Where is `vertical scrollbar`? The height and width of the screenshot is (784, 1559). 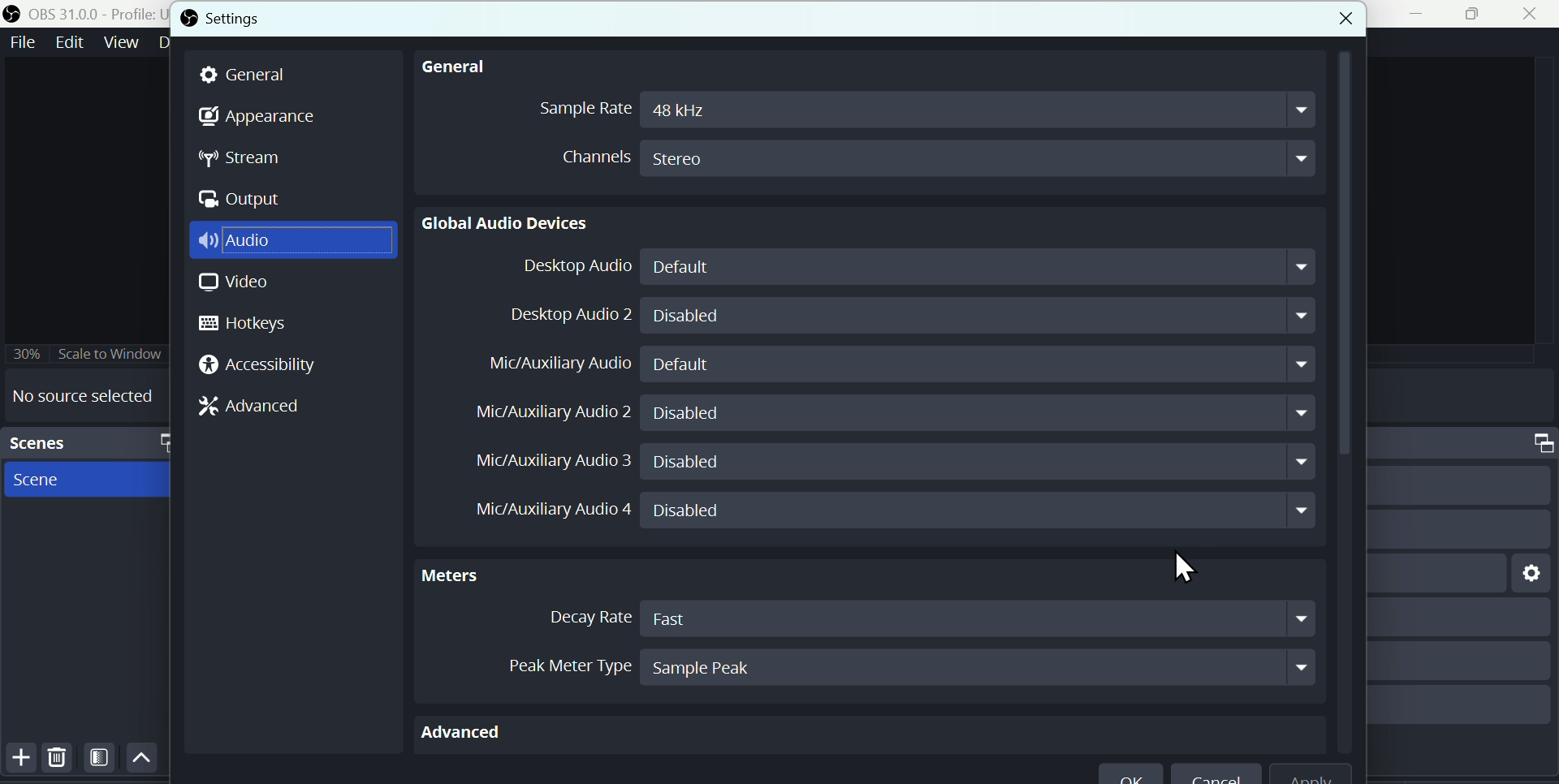 vertical scrollbar is located at coordinates (1344, 403).